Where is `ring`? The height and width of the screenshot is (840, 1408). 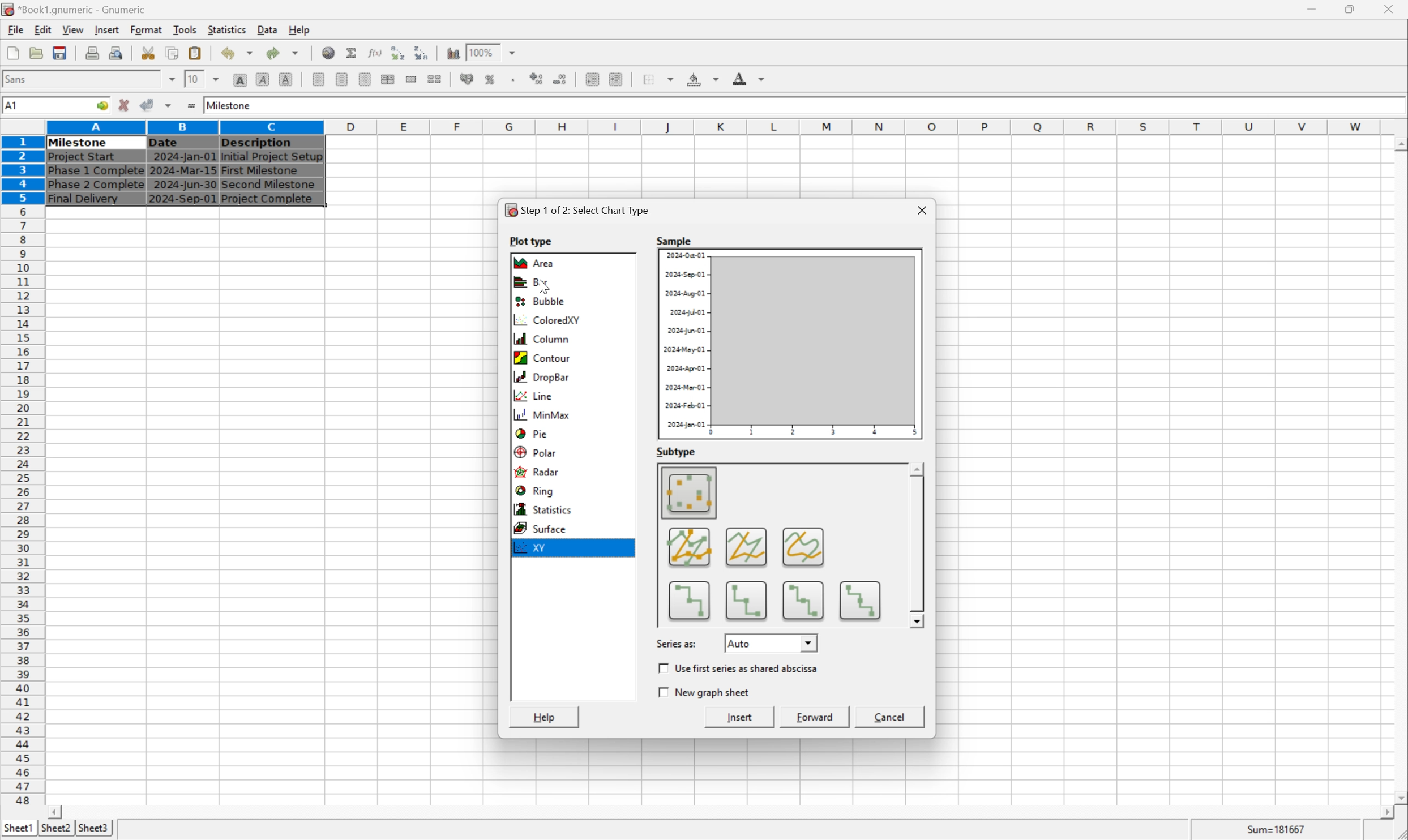 ring is located at coordinates (540, 492).